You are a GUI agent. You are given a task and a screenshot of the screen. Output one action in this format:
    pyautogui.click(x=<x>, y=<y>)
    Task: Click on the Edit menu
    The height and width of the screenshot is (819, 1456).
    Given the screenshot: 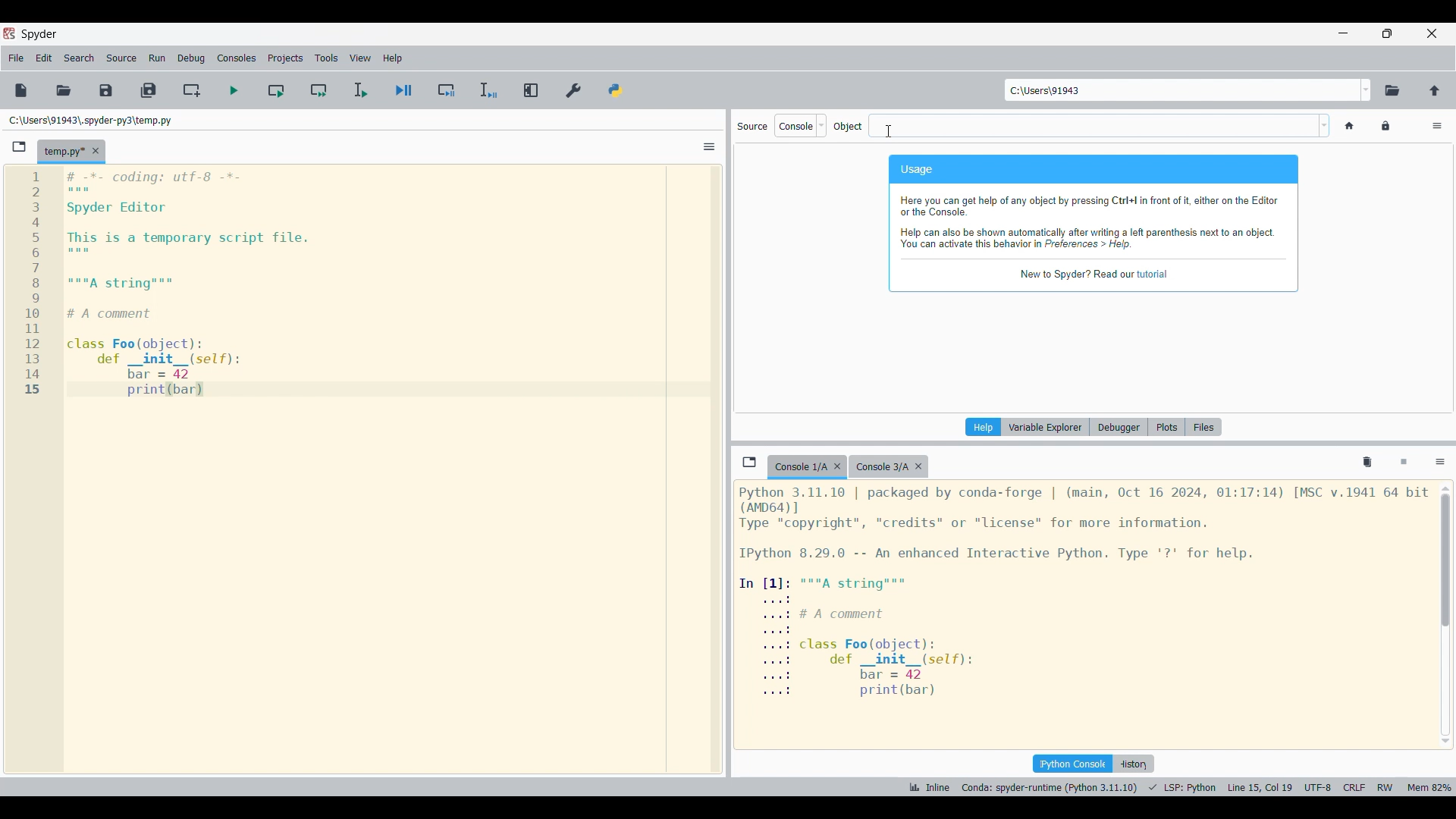 What is the action you would take?
    pyautogui.click(x=44, y=58)
    